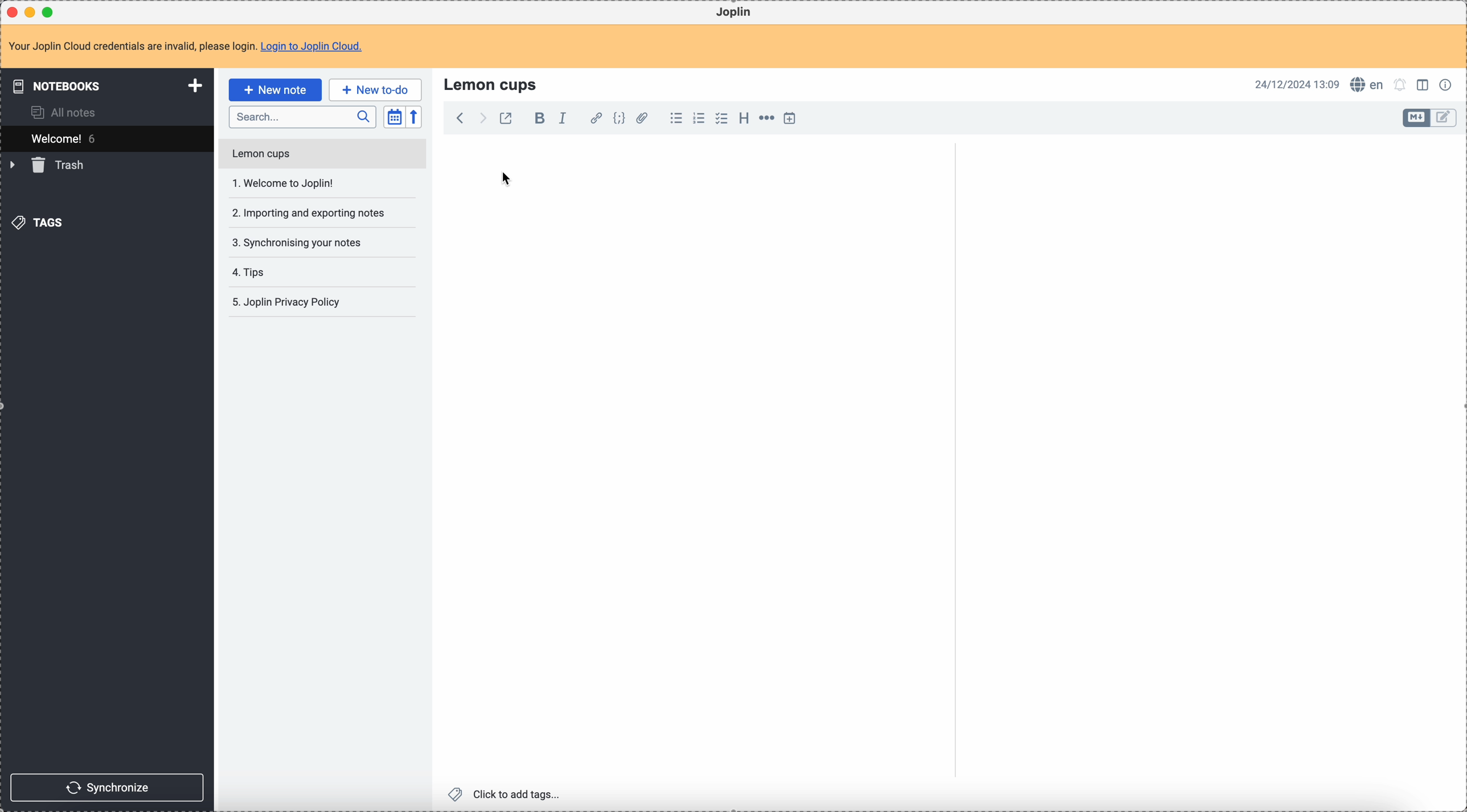  What do you see at coordinates (109, 85) in the screenshot?
I see `notebooks` at bounding box center [109, 85].